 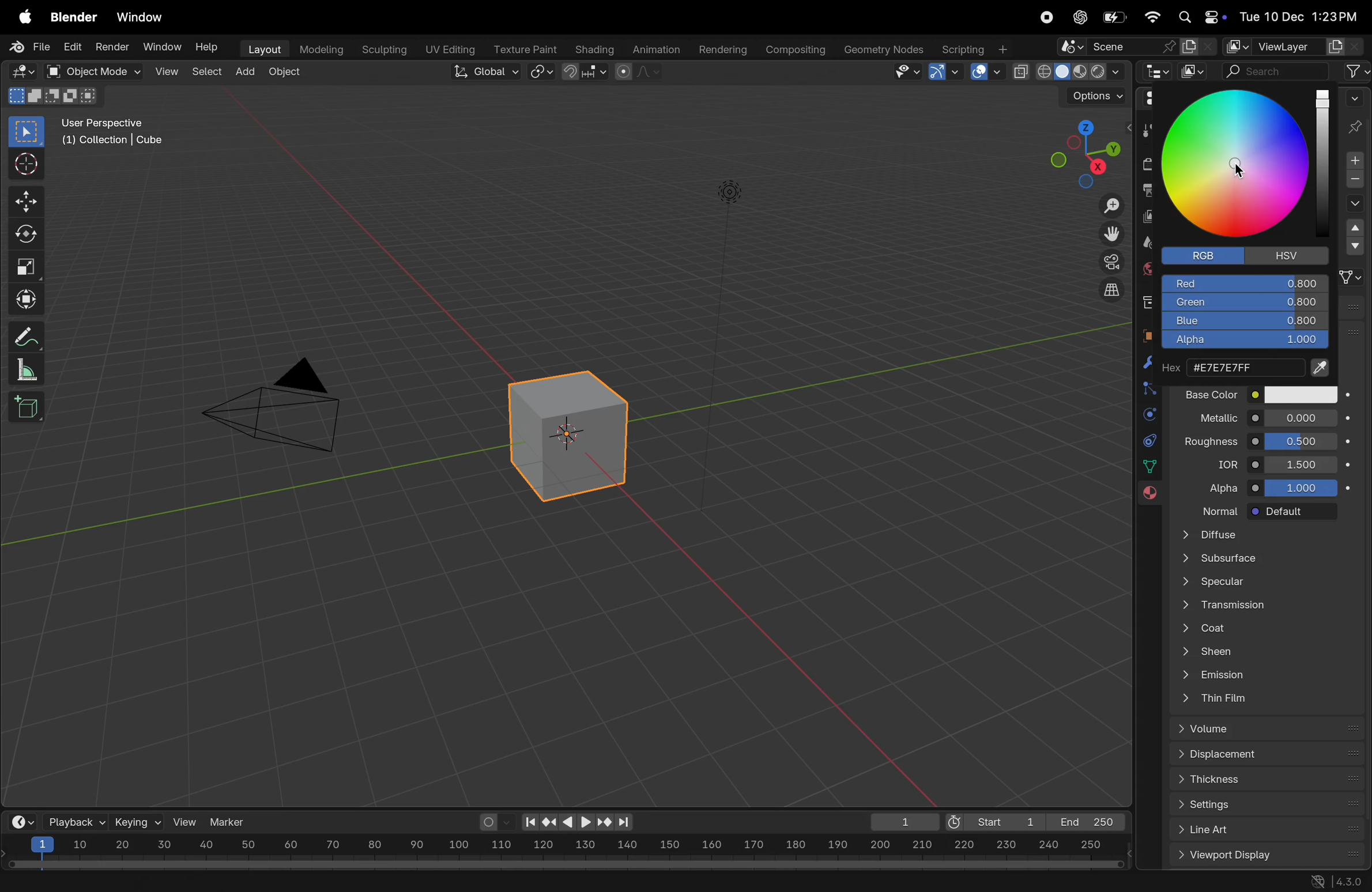 What do you see at coordinates (985, 72) in the screenshot?
I see `show overlays` at bounding box center [985, 72].